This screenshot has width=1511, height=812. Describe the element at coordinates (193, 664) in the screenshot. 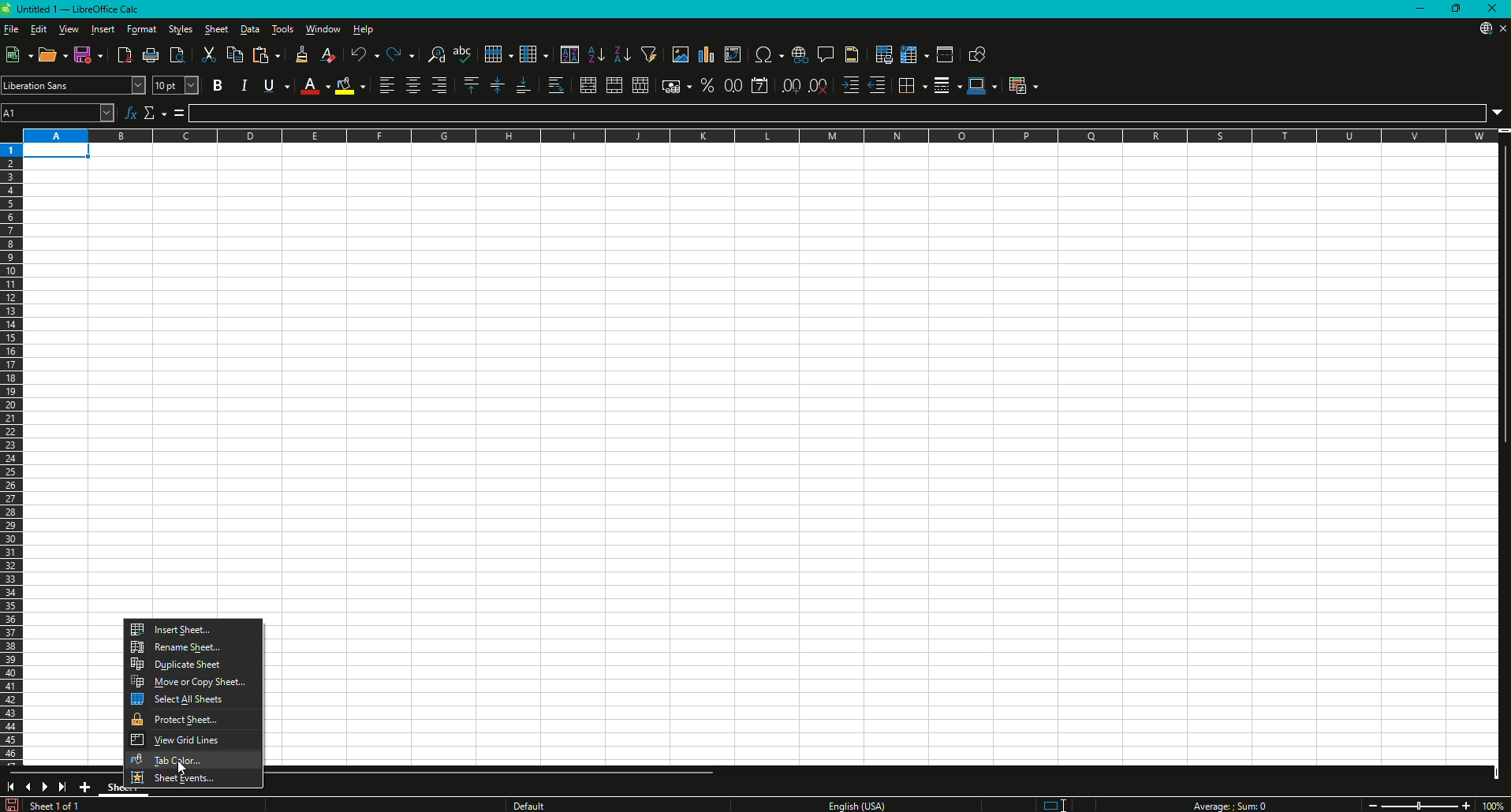

I see `Duplicate Sheet` at that location.